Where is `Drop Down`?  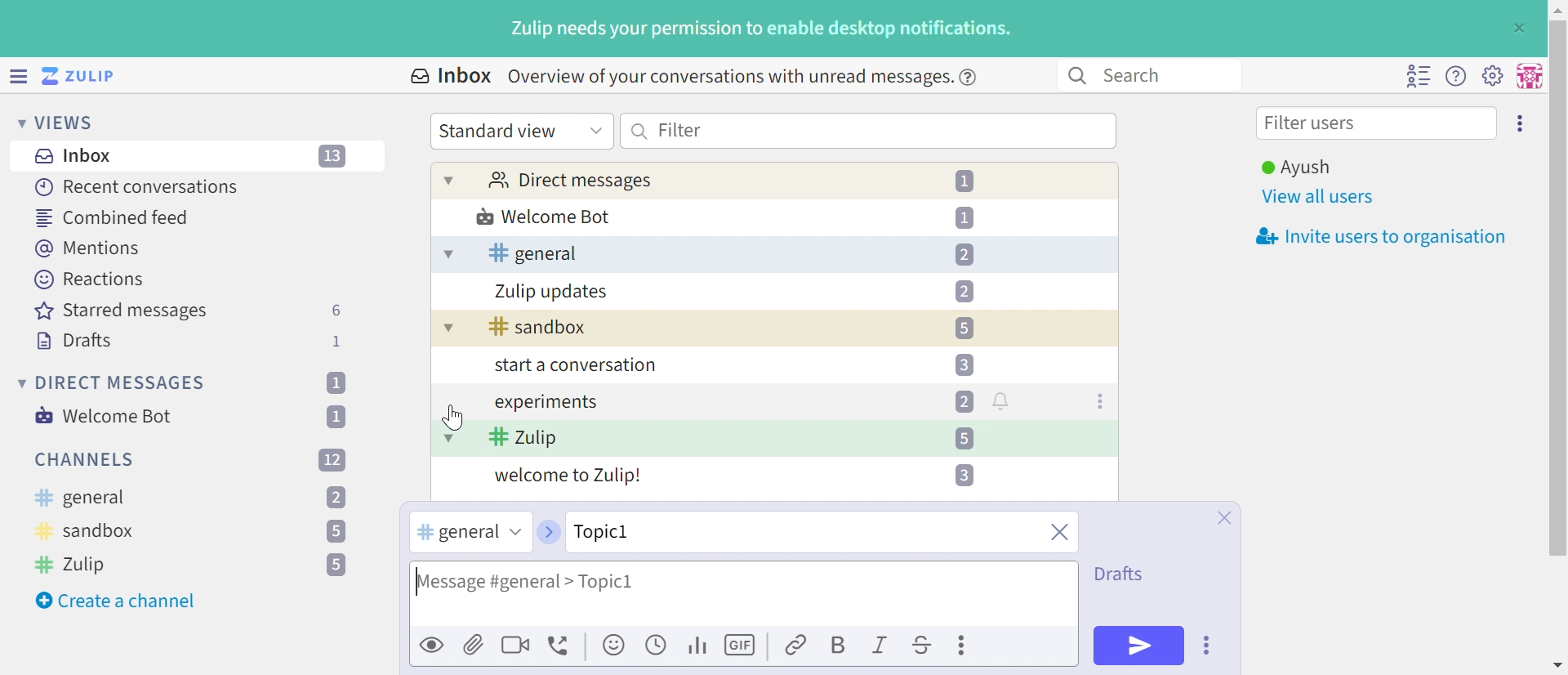 Drop Down is located at coordinates (19, 382).